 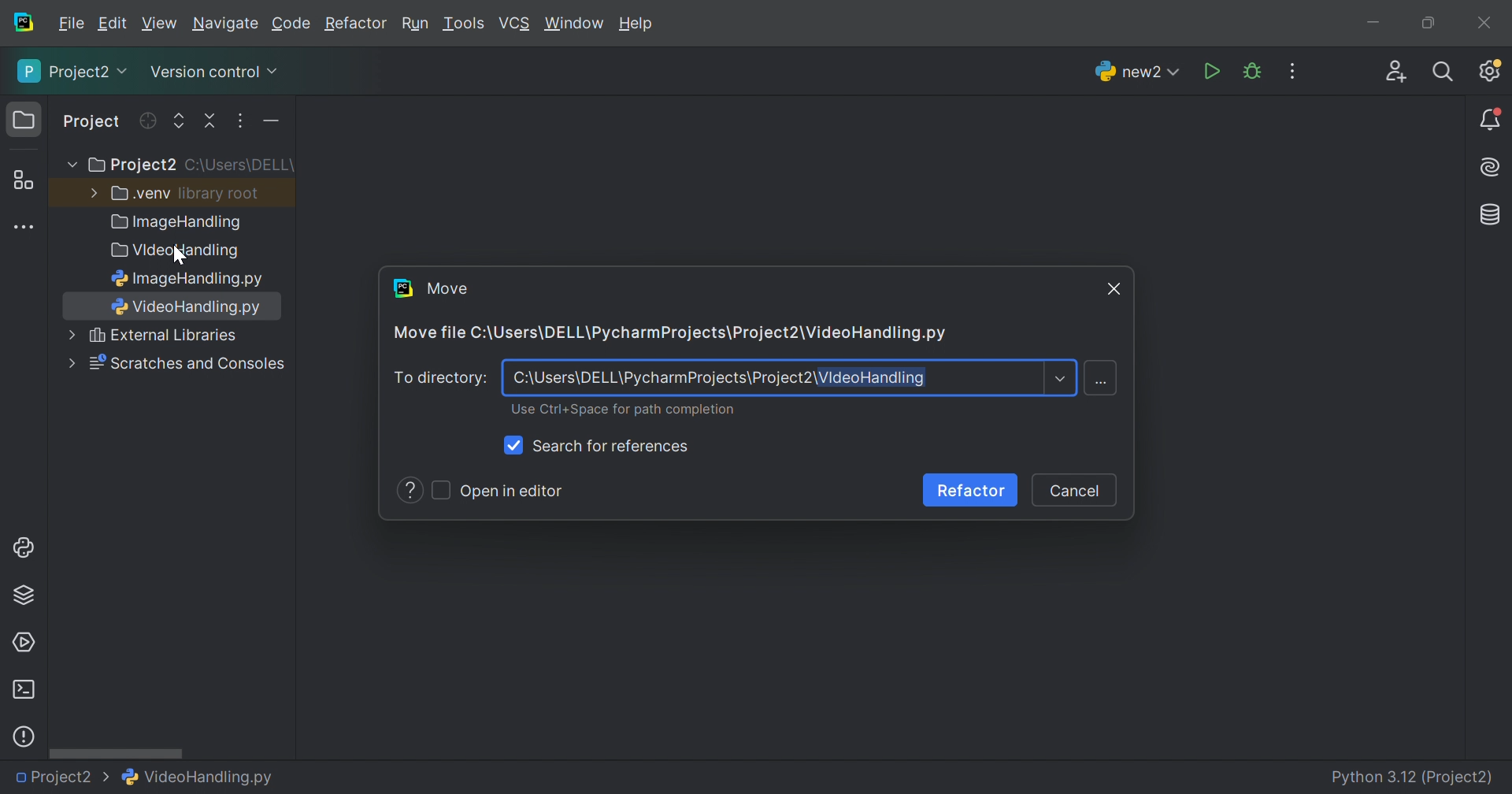 What do you see at coordinates (1114, 288) in the screenshot?
I see `Cursor` at bounding box center [1114, 288].